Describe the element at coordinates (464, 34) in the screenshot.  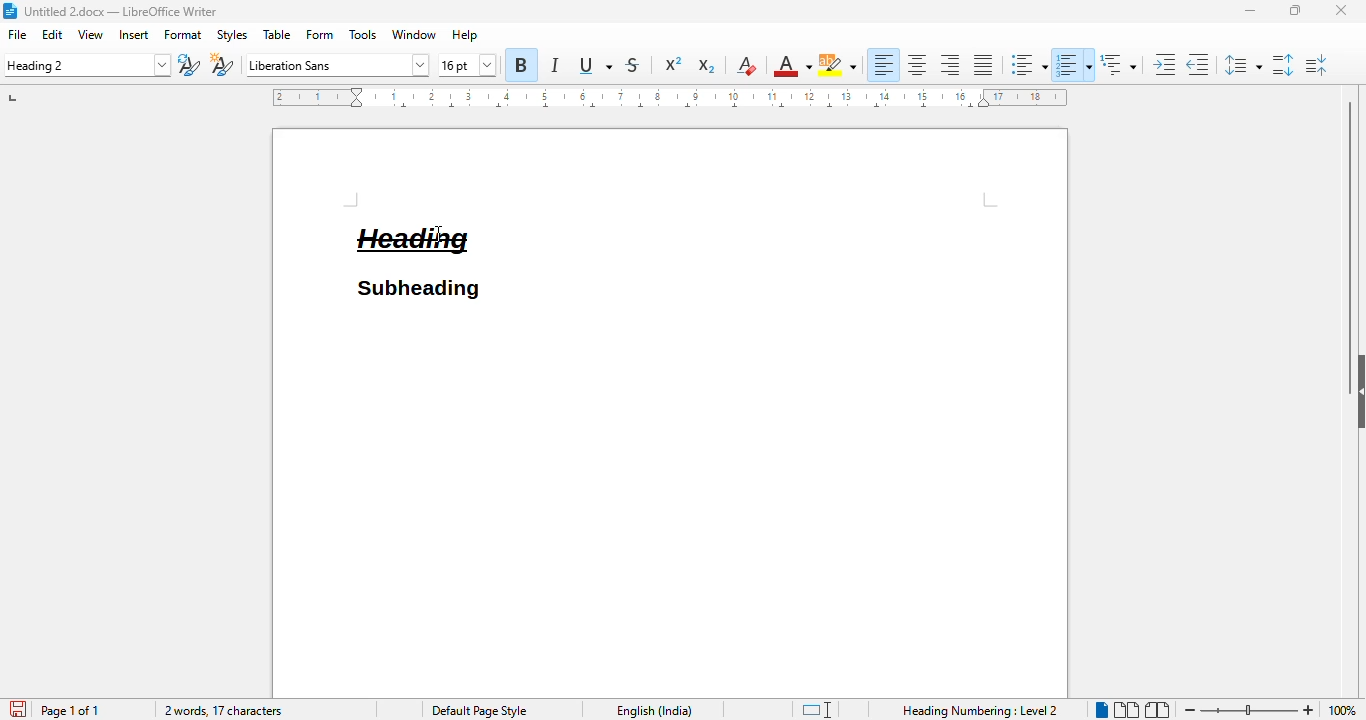
I see `help` at that location.